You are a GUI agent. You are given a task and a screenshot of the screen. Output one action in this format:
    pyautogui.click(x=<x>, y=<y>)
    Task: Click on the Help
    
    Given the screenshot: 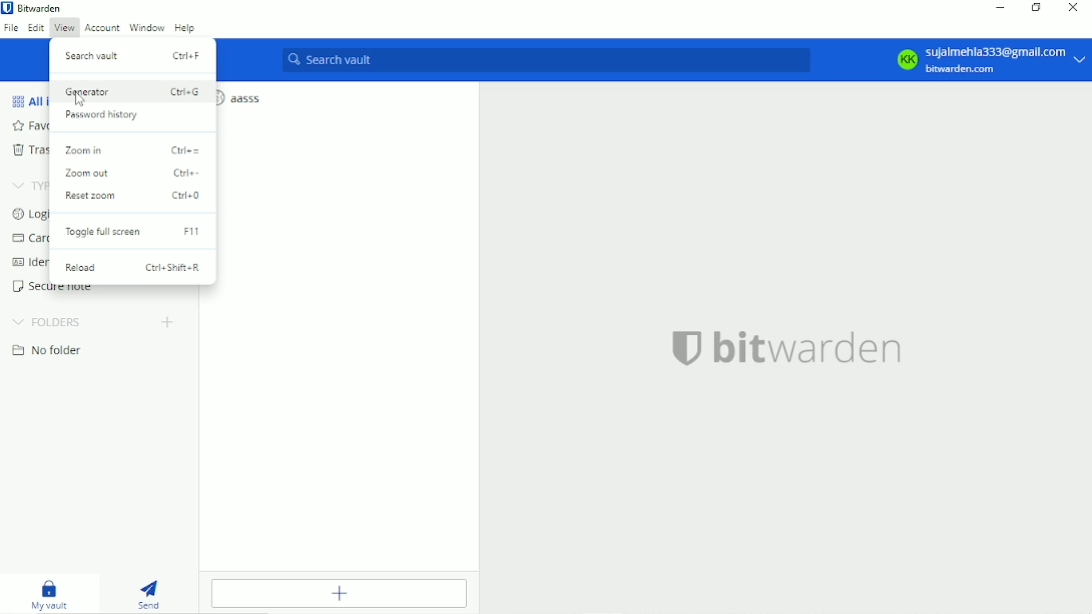 What is the action you would take?
    pyautogui.click(x=187, y=29)
    